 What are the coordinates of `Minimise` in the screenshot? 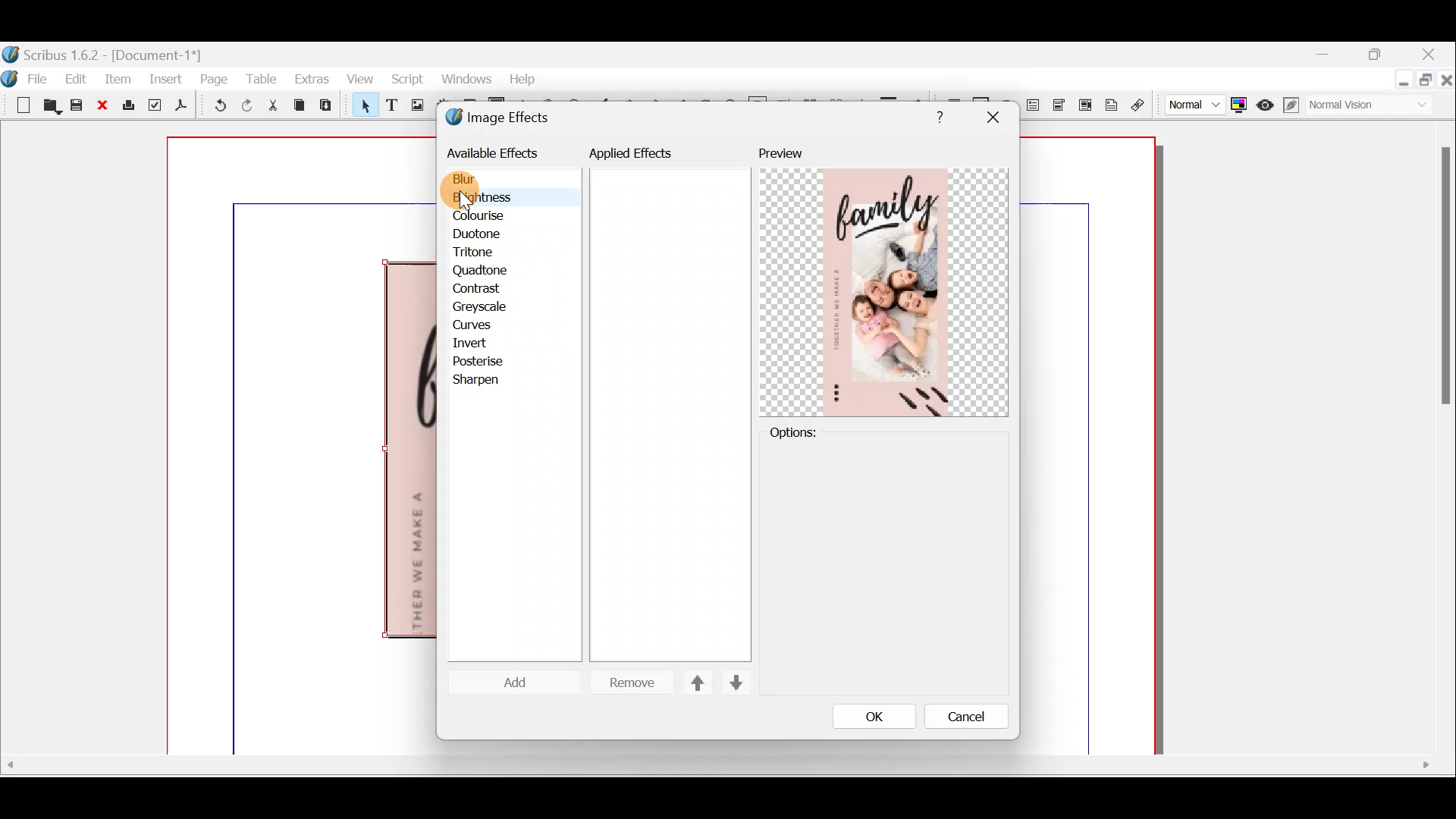 It's located at (1401, 81).